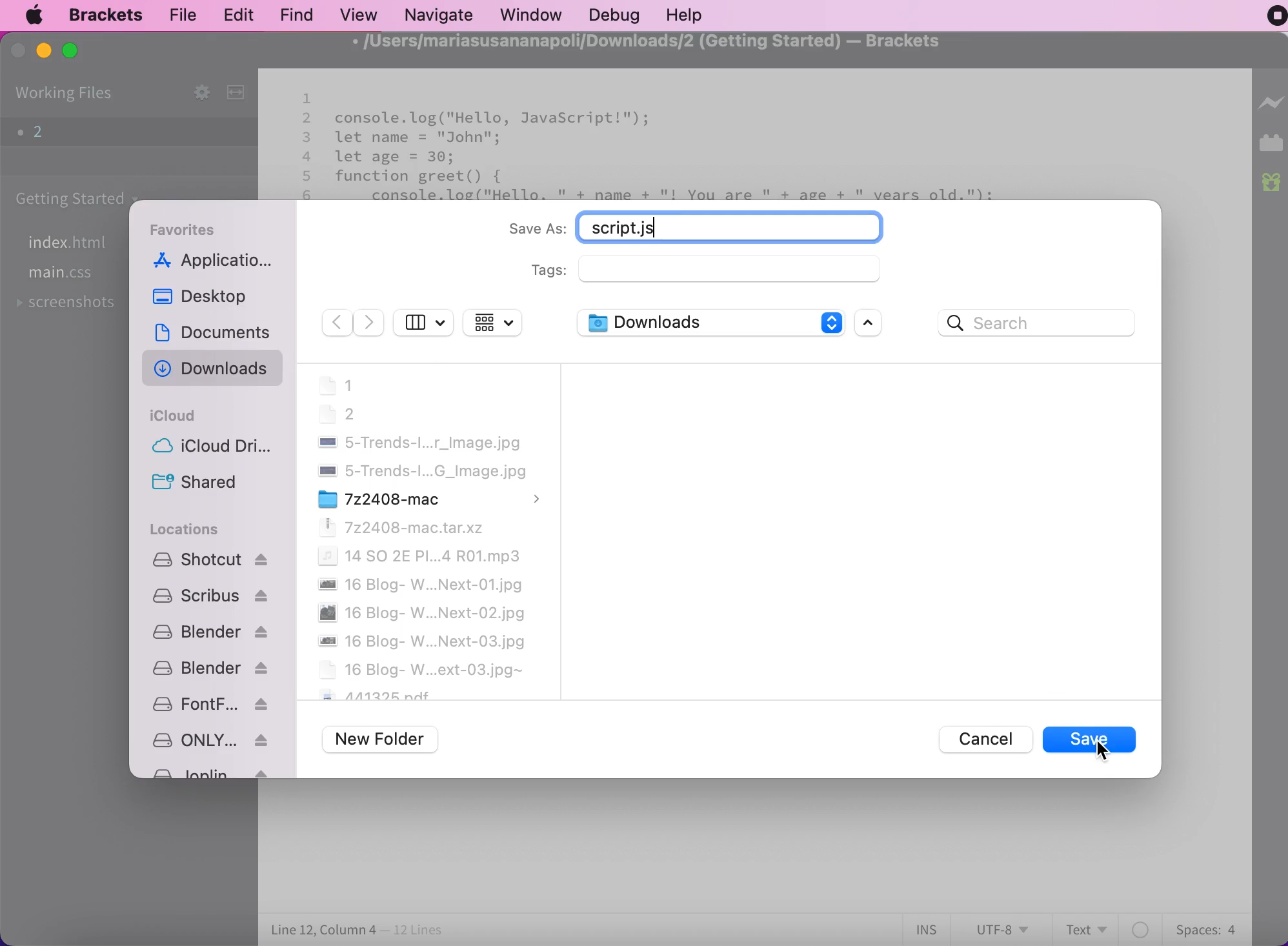 This screenshot has width=1288, height=946. I want to click on change the item grouping, so click(498, 324).